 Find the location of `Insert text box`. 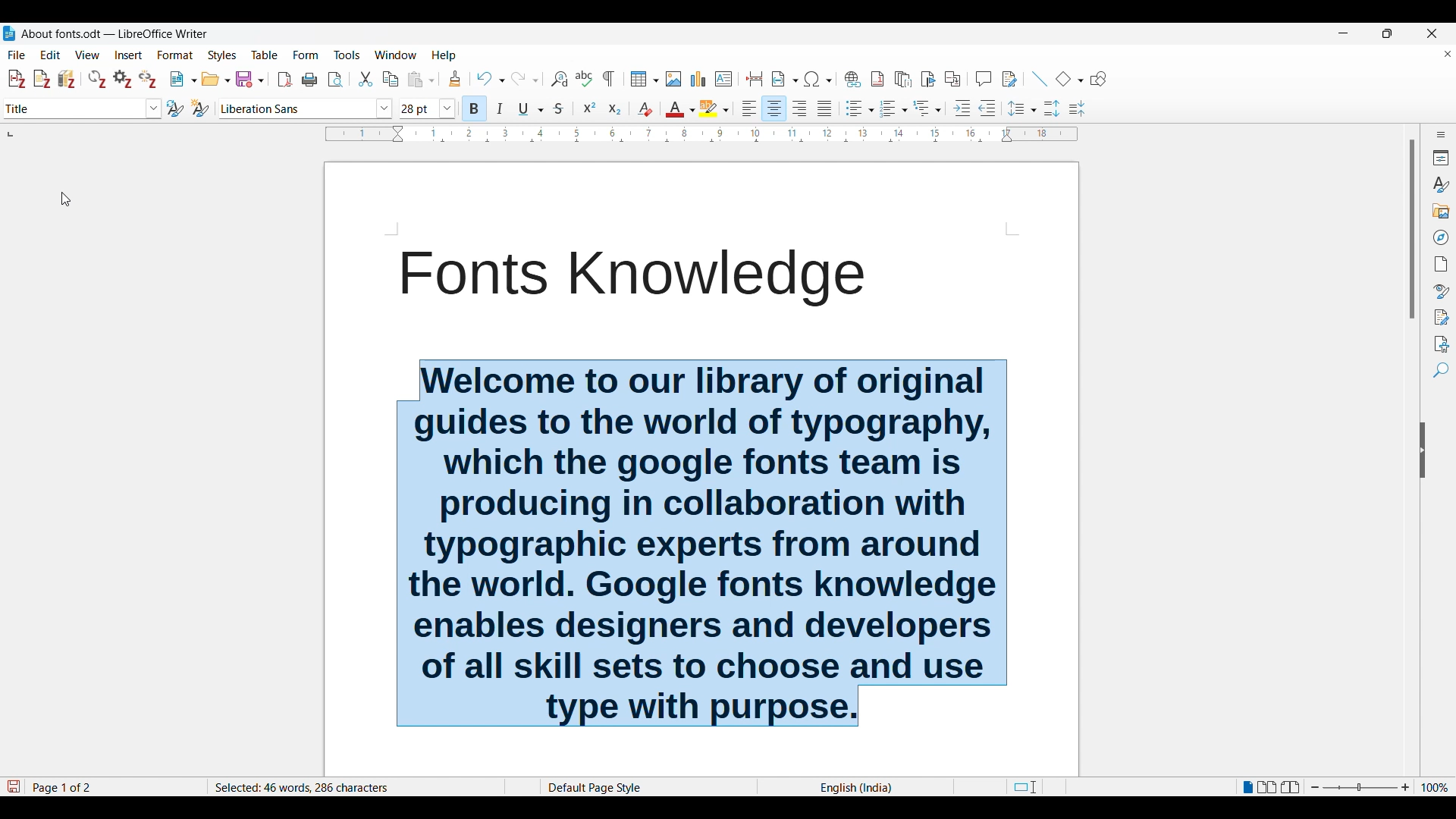

Insert text box is located at coordinates (723, 79).